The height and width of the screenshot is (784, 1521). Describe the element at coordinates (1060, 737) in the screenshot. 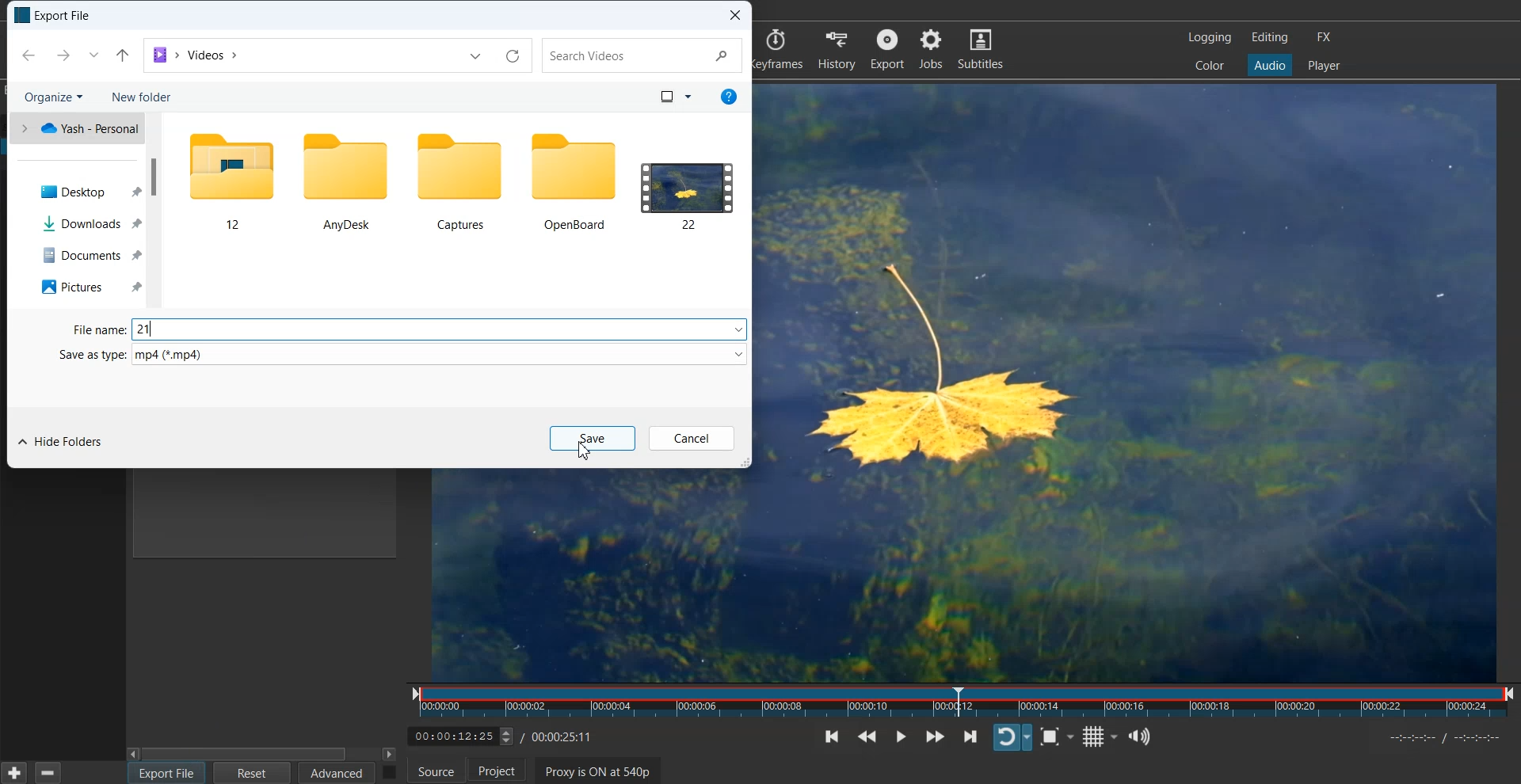

I see `Toggle Zoom` at that location.